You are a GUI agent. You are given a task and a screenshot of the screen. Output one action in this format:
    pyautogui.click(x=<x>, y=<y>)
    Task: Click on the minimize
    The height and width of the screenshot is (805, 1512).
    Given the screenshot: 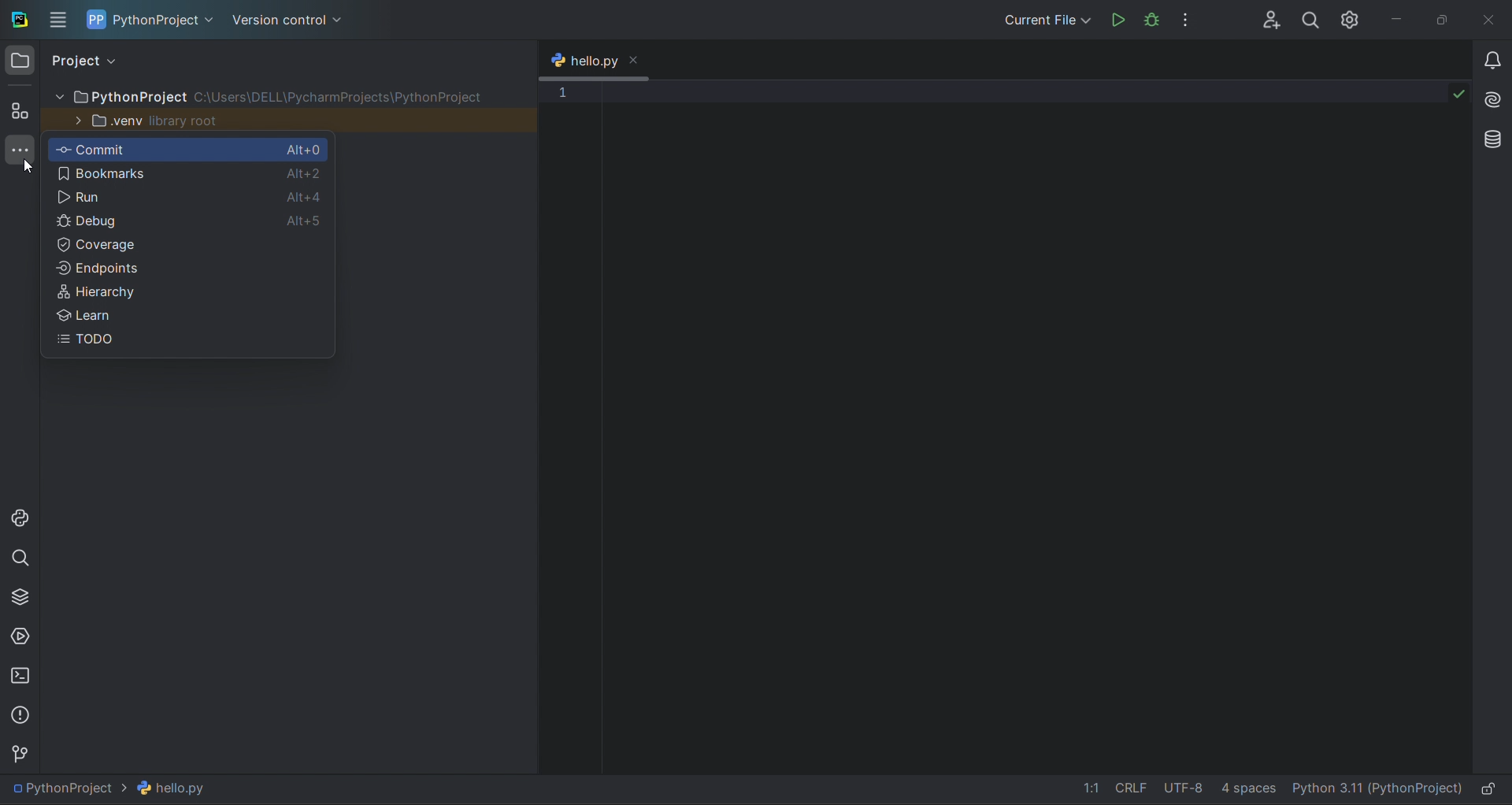 What is the action you would take?
    pyautogui.click(x=1399, y=20)
    